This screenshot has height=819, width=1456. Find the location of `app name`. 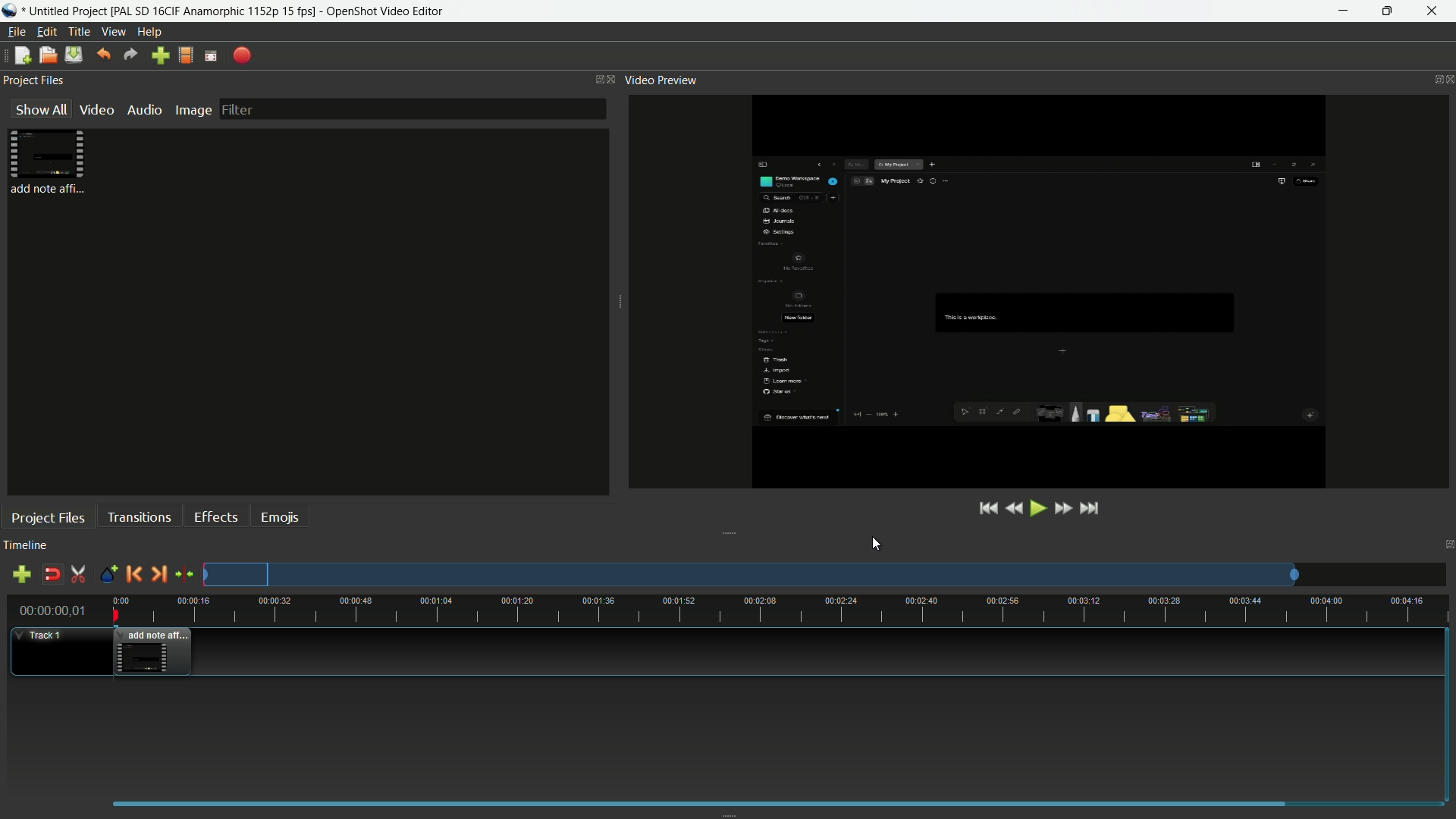

app name is located at coordinates (10, 11).